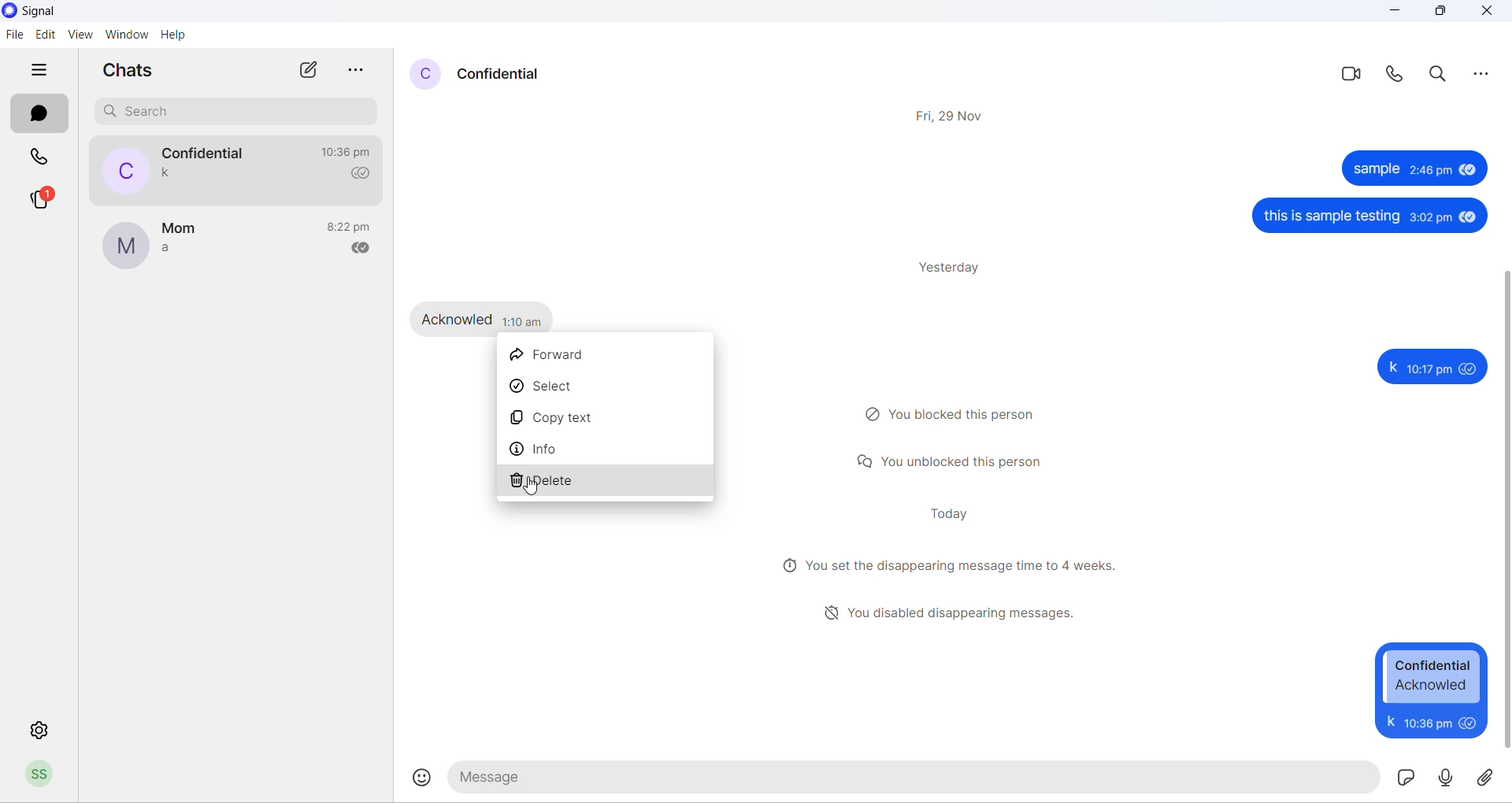 This screenshot has height=803, width=1512. I want to click on Confidential Acknowled, so click(1433, 676).